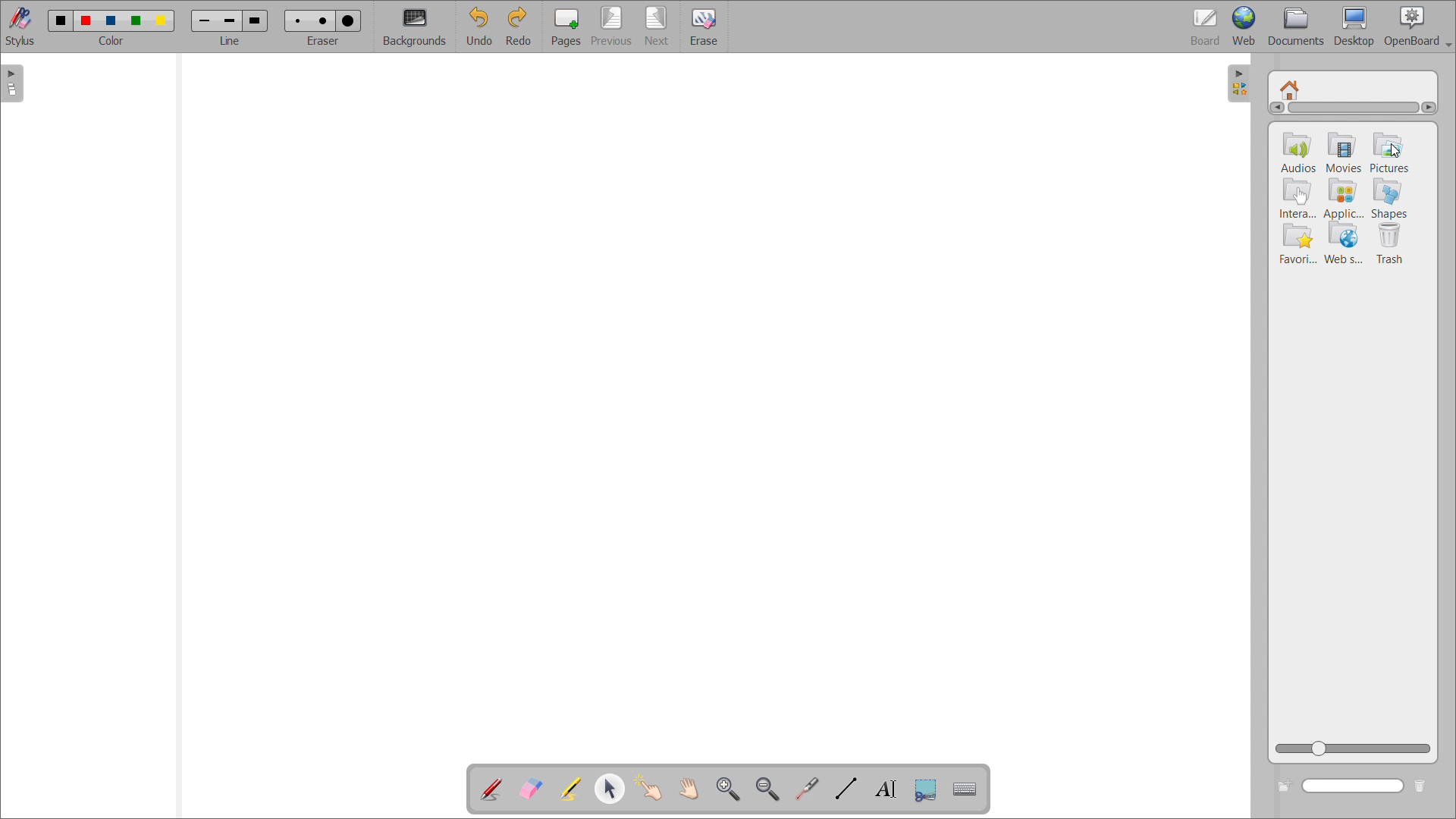 The height and width of the screenshot is (819, 1456). Describe the element at coordinates (1354, 748) in the screenshot. I see `zoom view slider` at that location.